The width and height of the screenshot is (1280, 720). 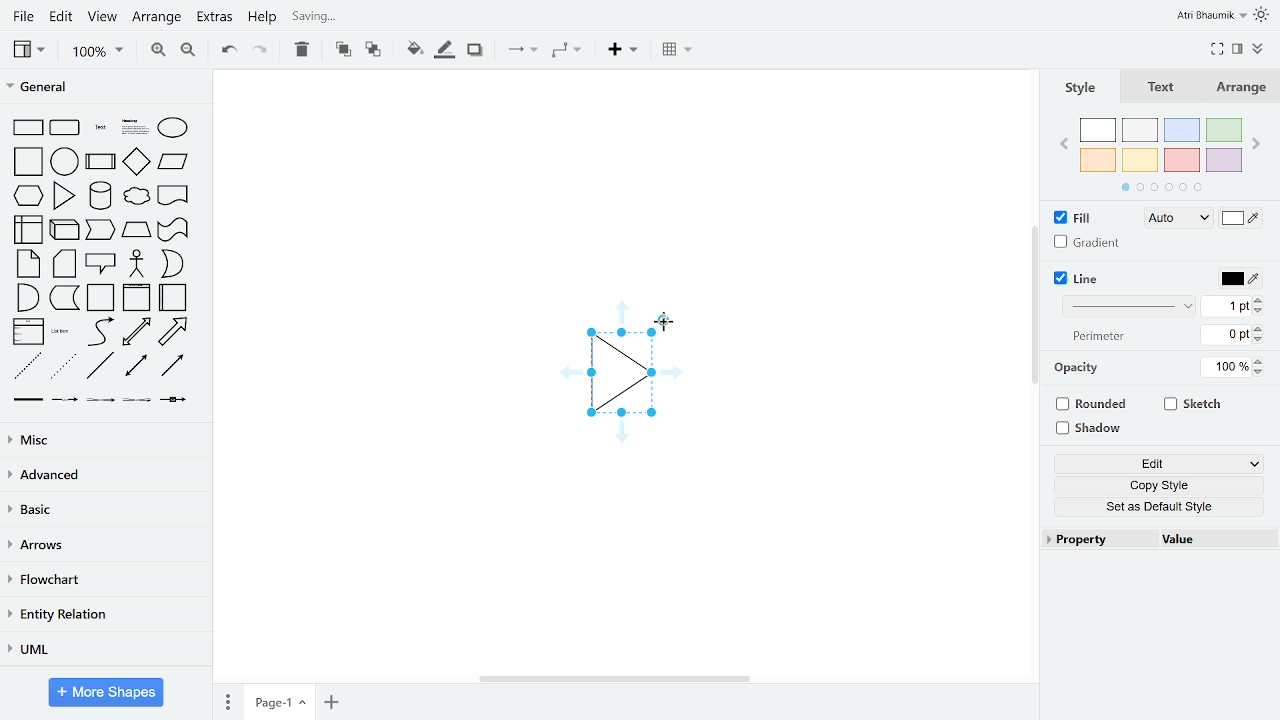 What do you see at coordinates (1258, 144) in the screenshot?
I see `next` at bounding box center [1258, 144].